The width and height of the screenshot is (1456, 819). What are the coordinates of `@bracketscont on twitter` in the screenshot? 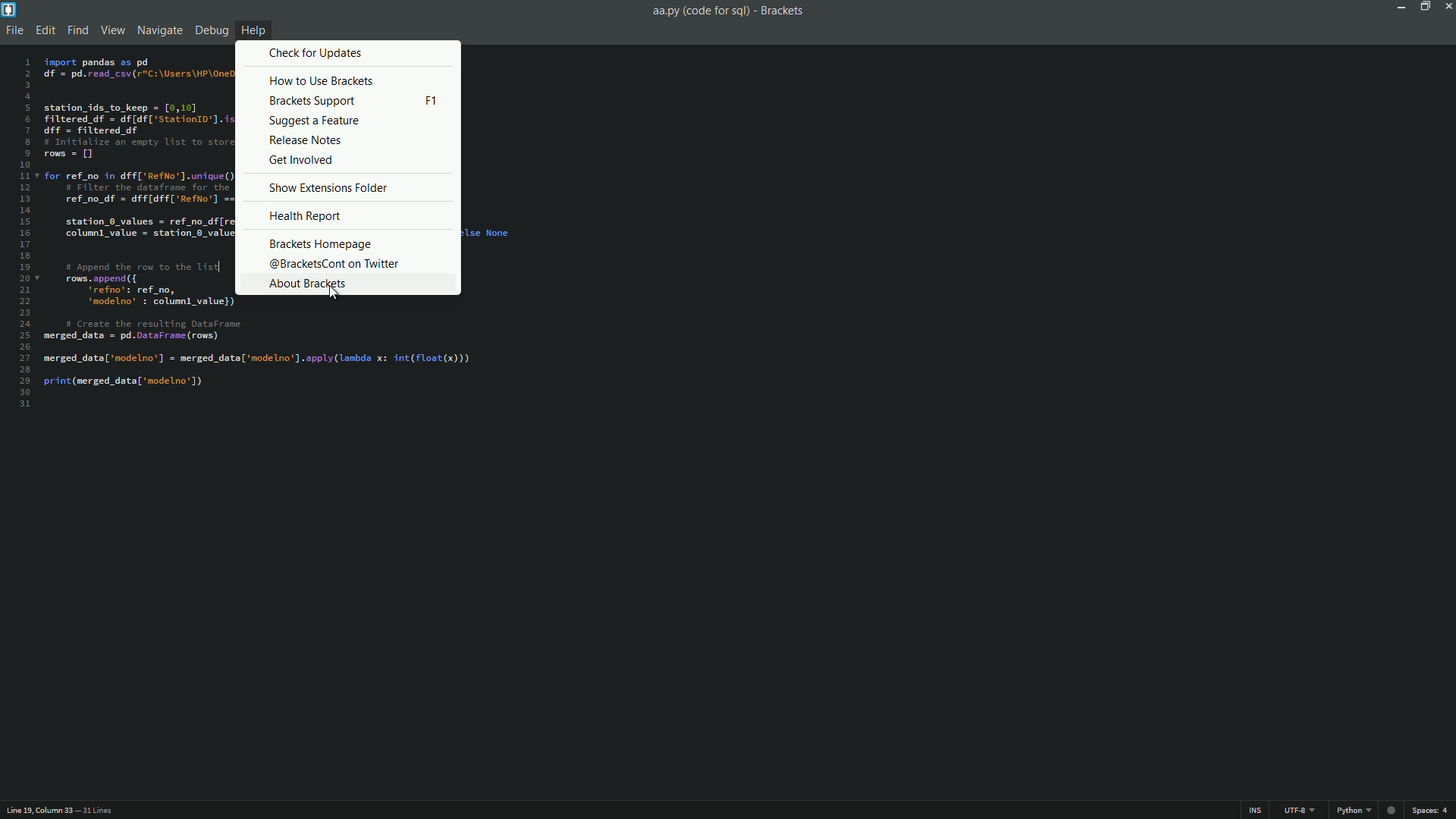 It's located at (335, 263).